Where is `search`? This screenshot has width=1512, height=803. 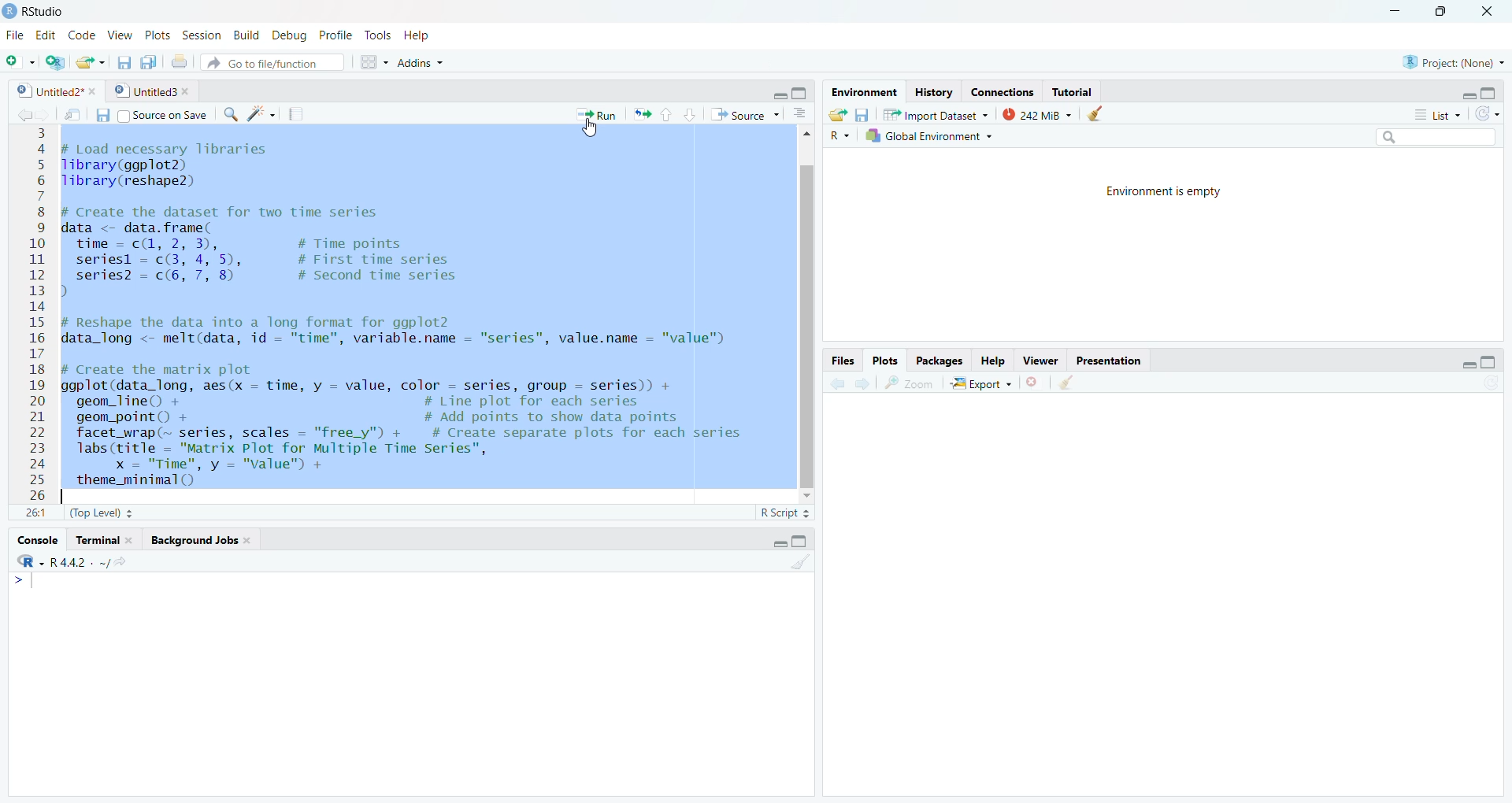 search is located at coordinates (229, 115).